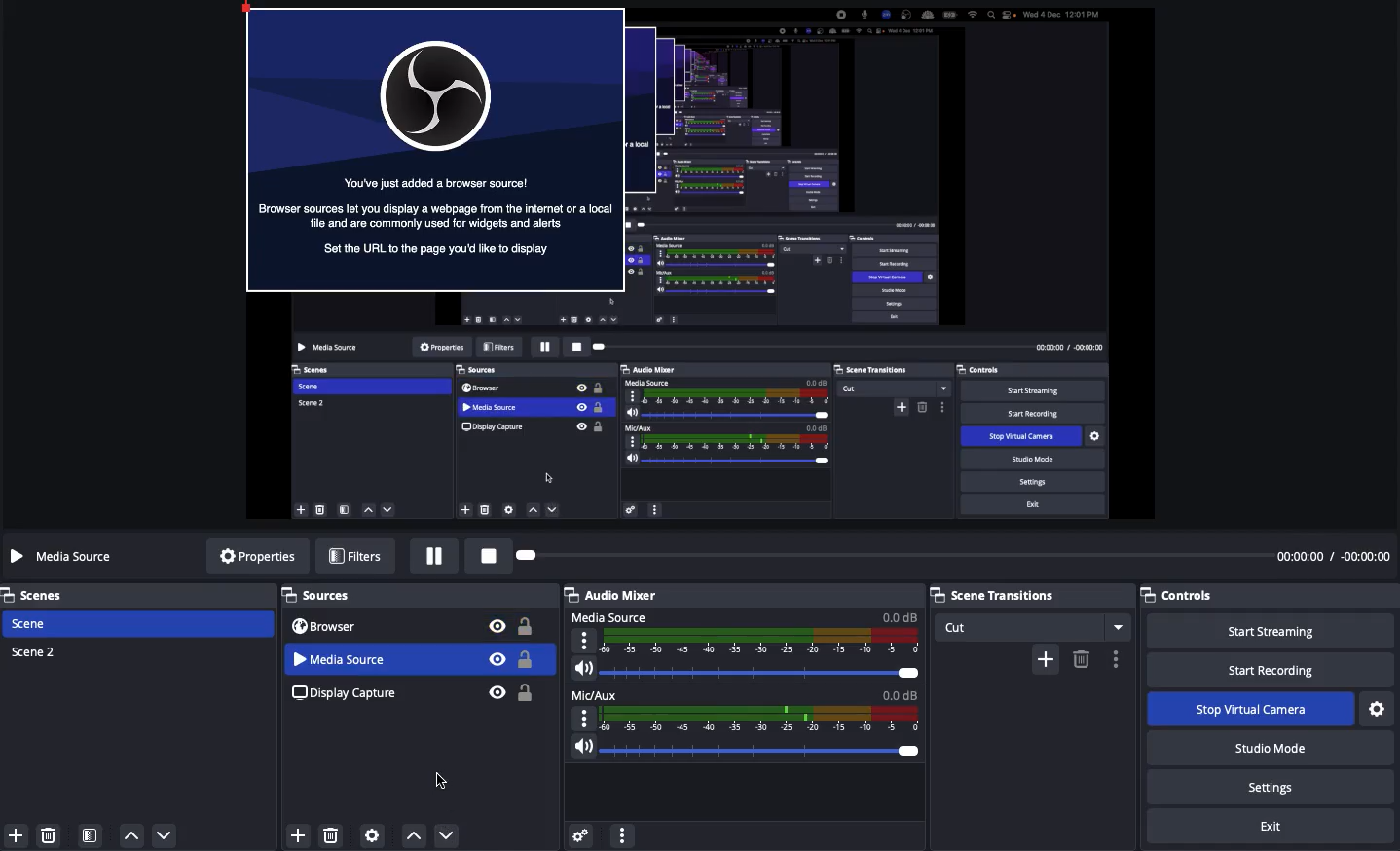 The width and height of the screenshot is (1400, 851). I want to click on Advanced audio preferences , so click(583, 837).